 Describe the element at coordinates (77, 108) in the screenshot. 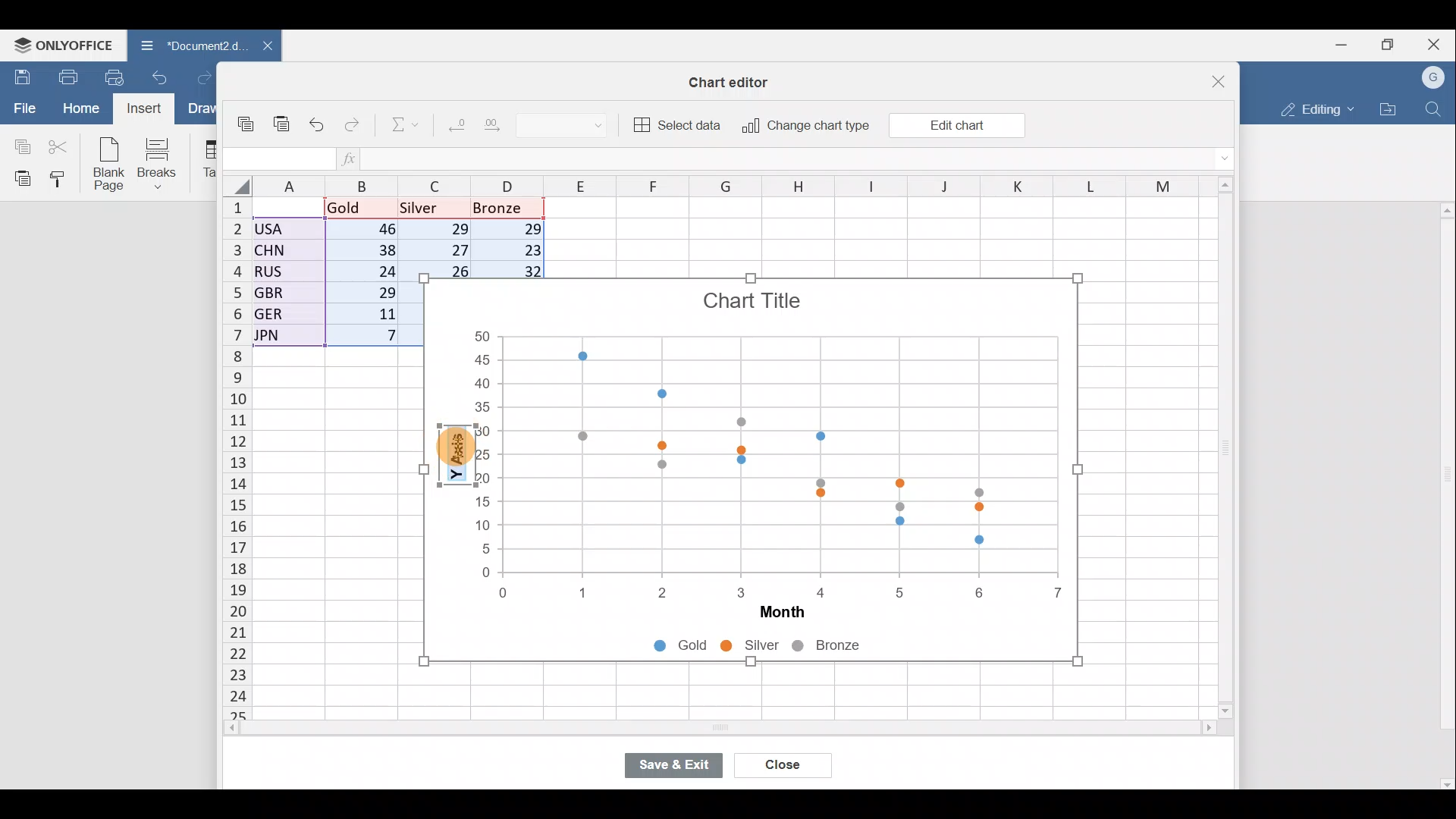

I see `Home` at that location.